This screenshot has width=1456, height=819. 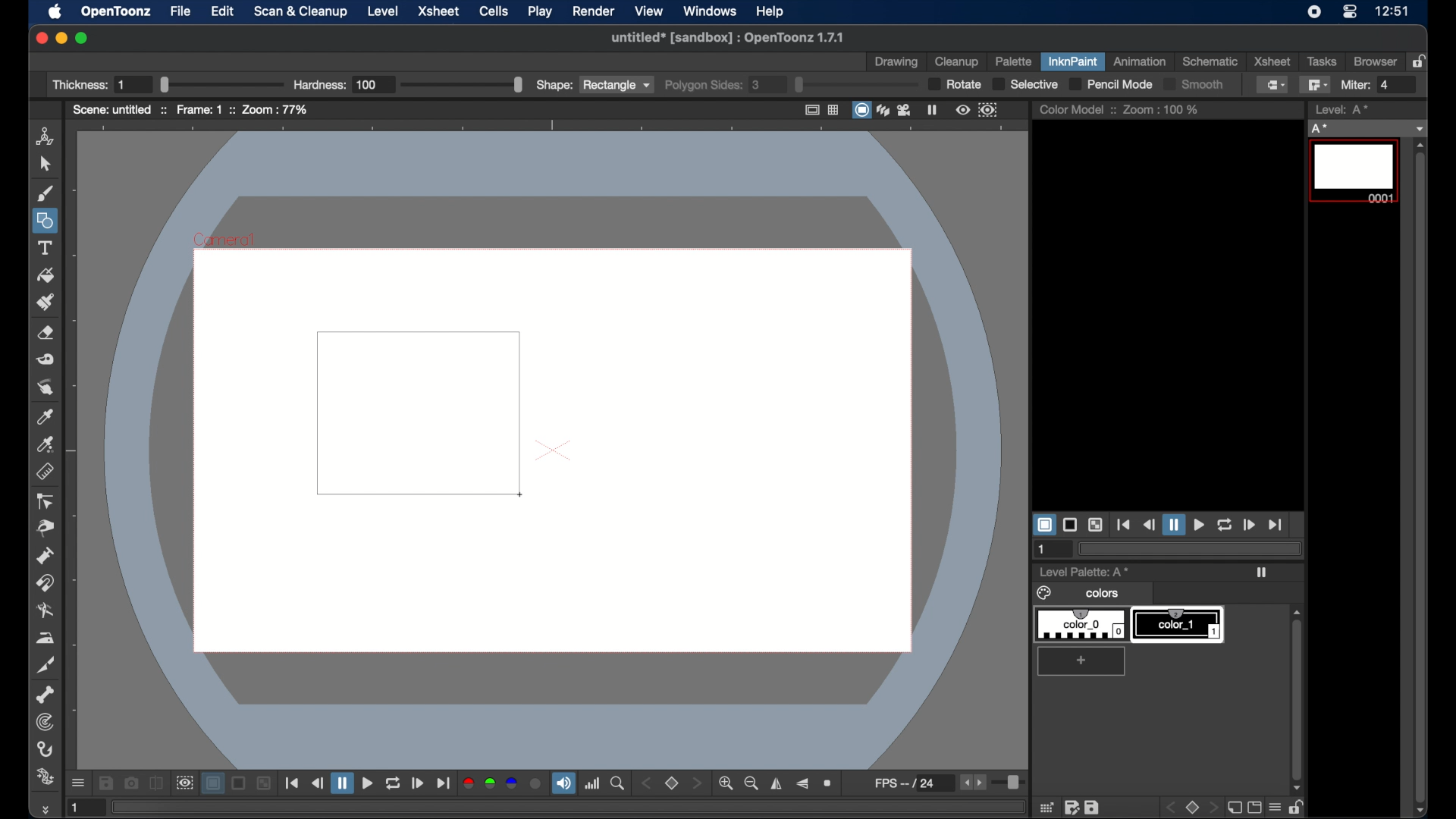 I want to click on play icon, so click(x=1261, y=573).